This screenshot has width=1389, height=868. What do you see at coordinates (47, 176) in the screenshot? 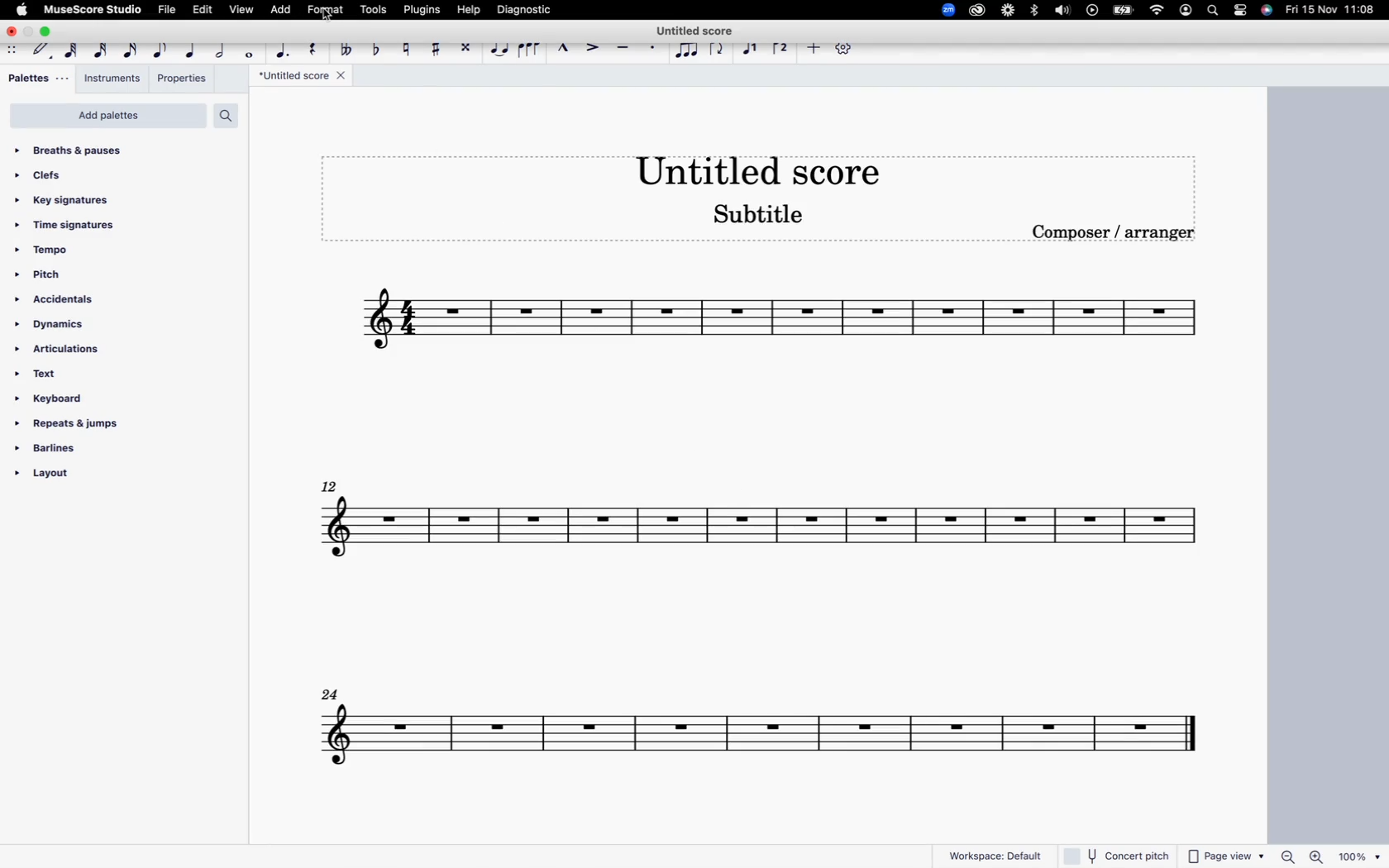
I see `clefs` at bounding box center [47, 176].